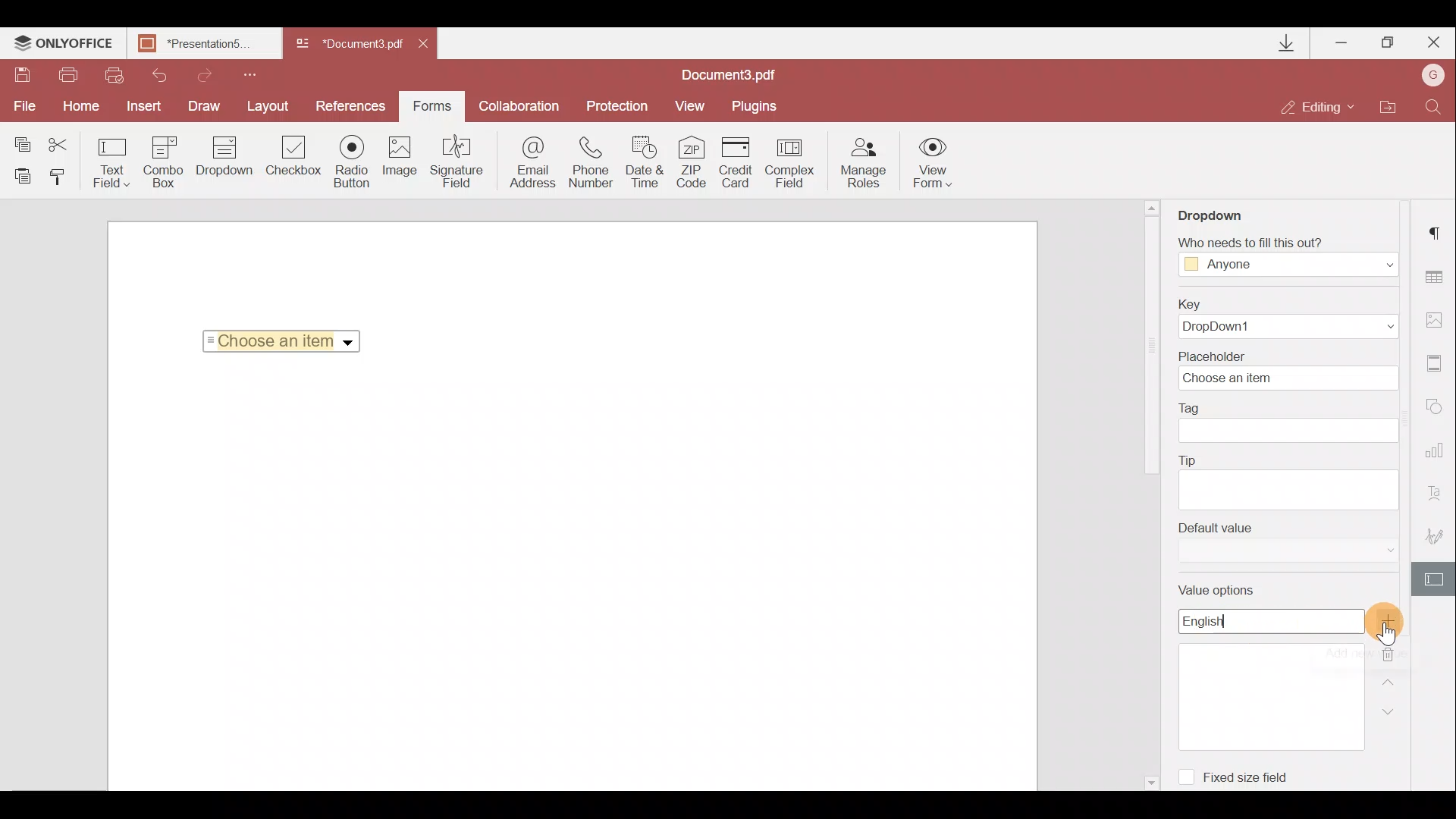  I want to click on Open file location, so click(1387, 108).